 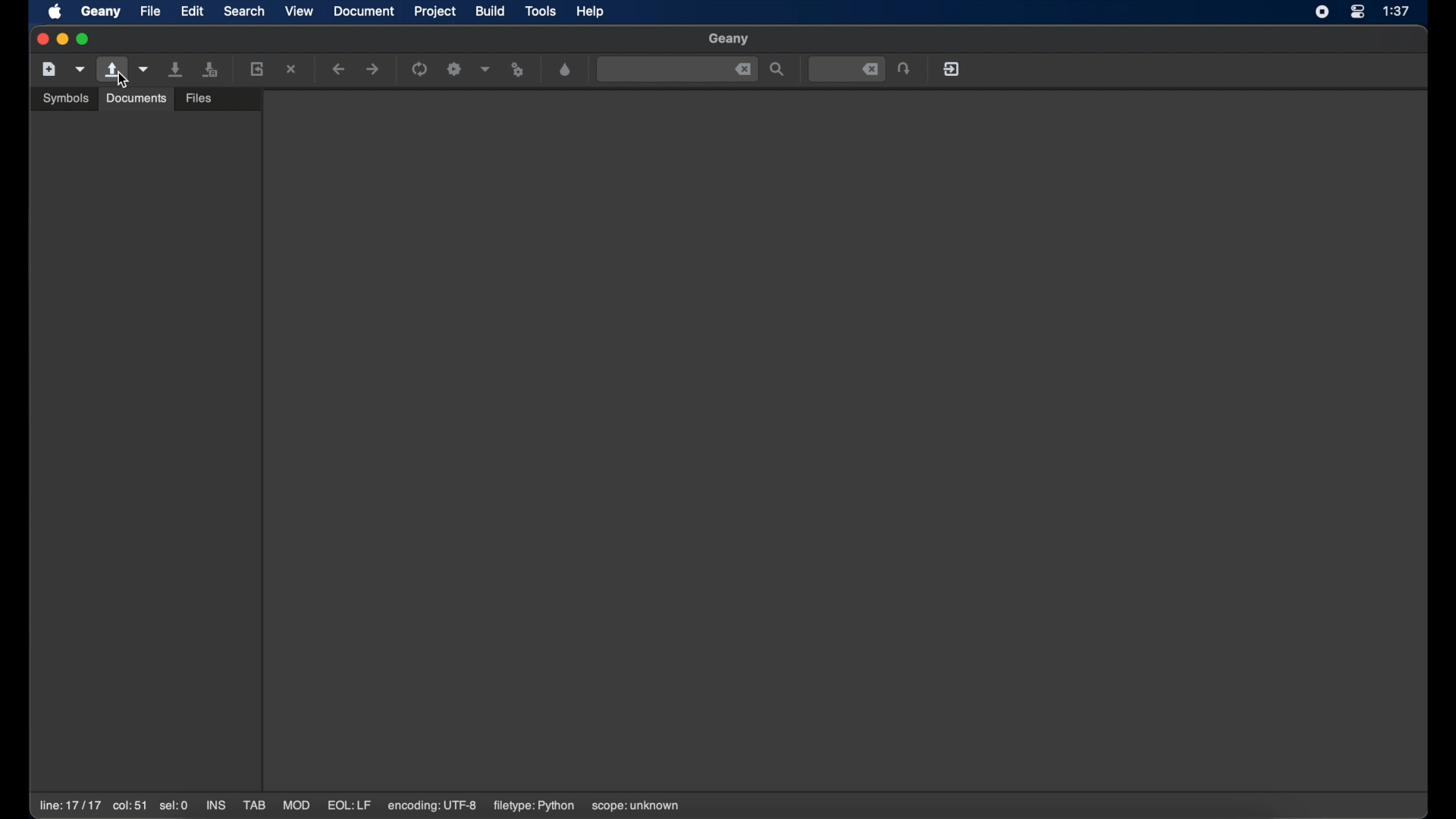 What do you see at coordinates (905, 68) in the screenshot?
I see `jump to the entered line number` at bounding box center [905, 68].